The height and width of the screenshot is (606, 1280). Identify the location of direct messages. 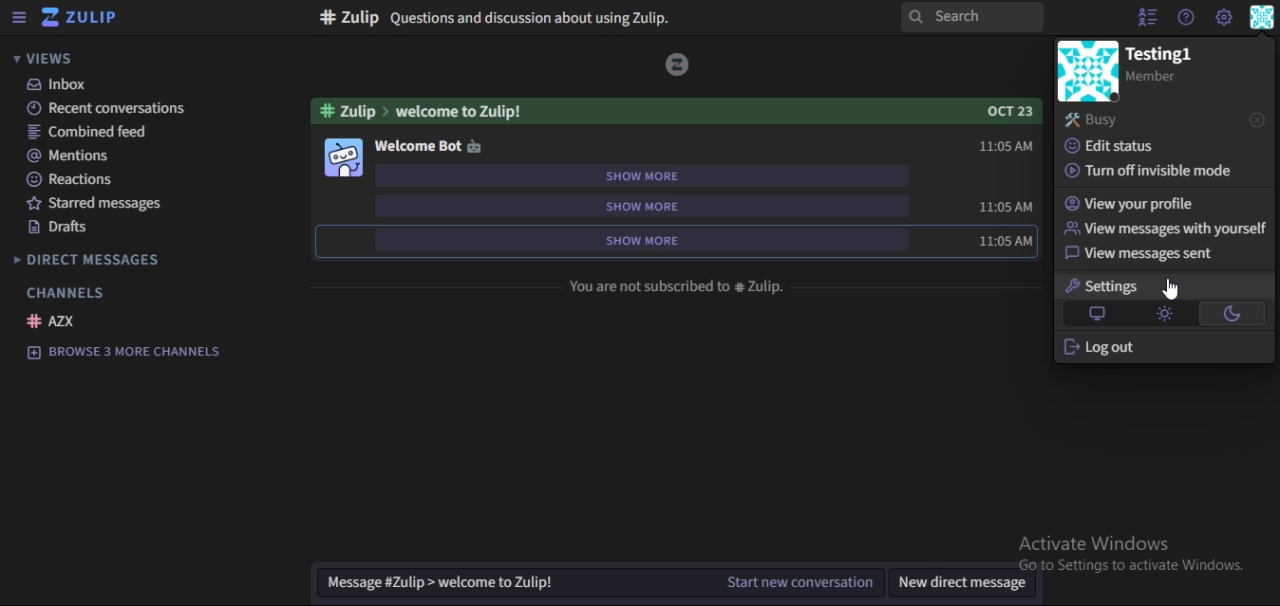
(102, 258).